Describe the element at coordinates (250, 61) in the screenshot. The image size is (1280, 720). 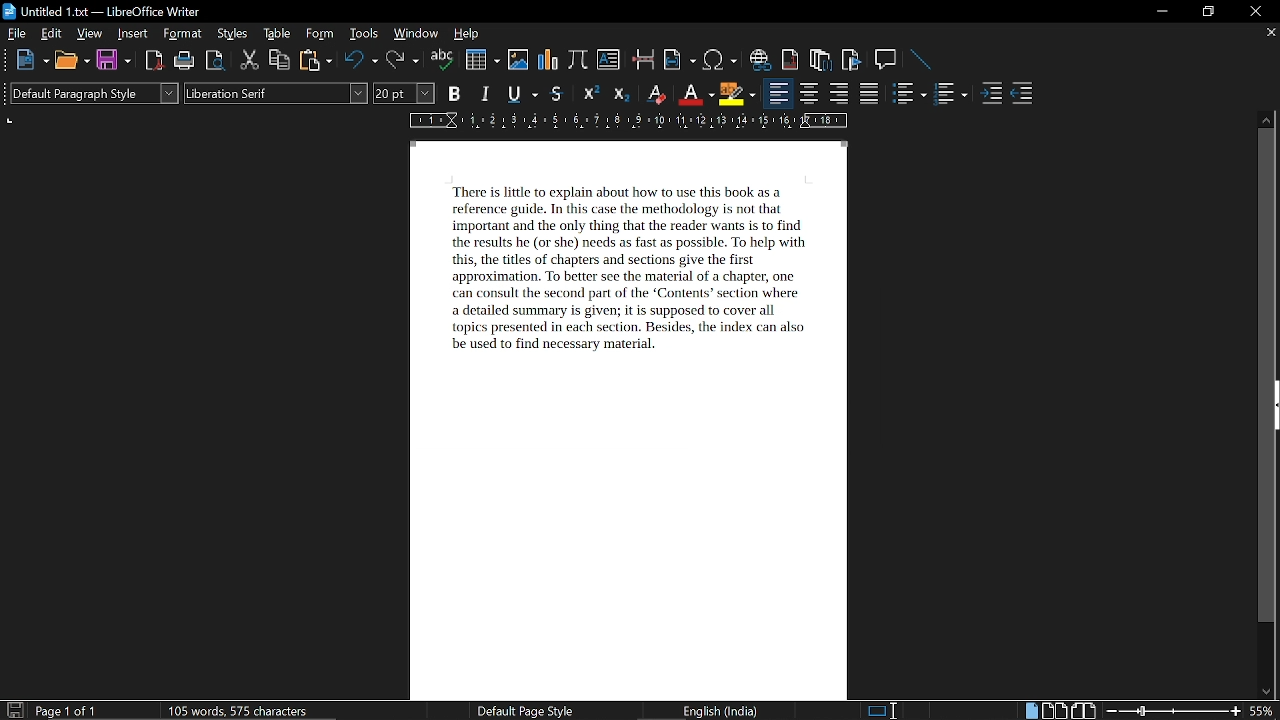
I see `cut` at that location.